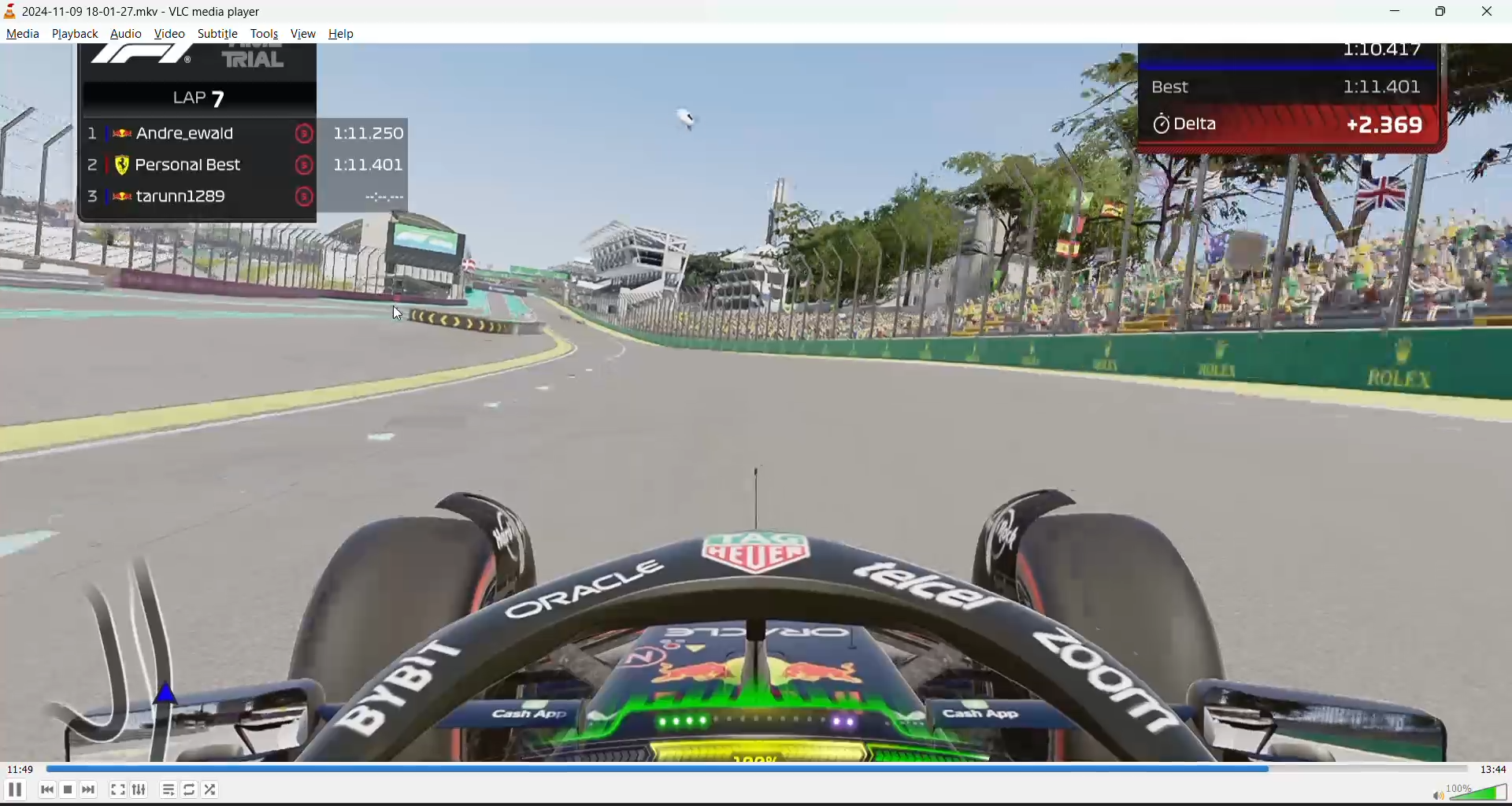 This screenshot has width=1512, height=806. Describe the element at coordinates (753, 400) in the screenshot. I see `video` at that location.